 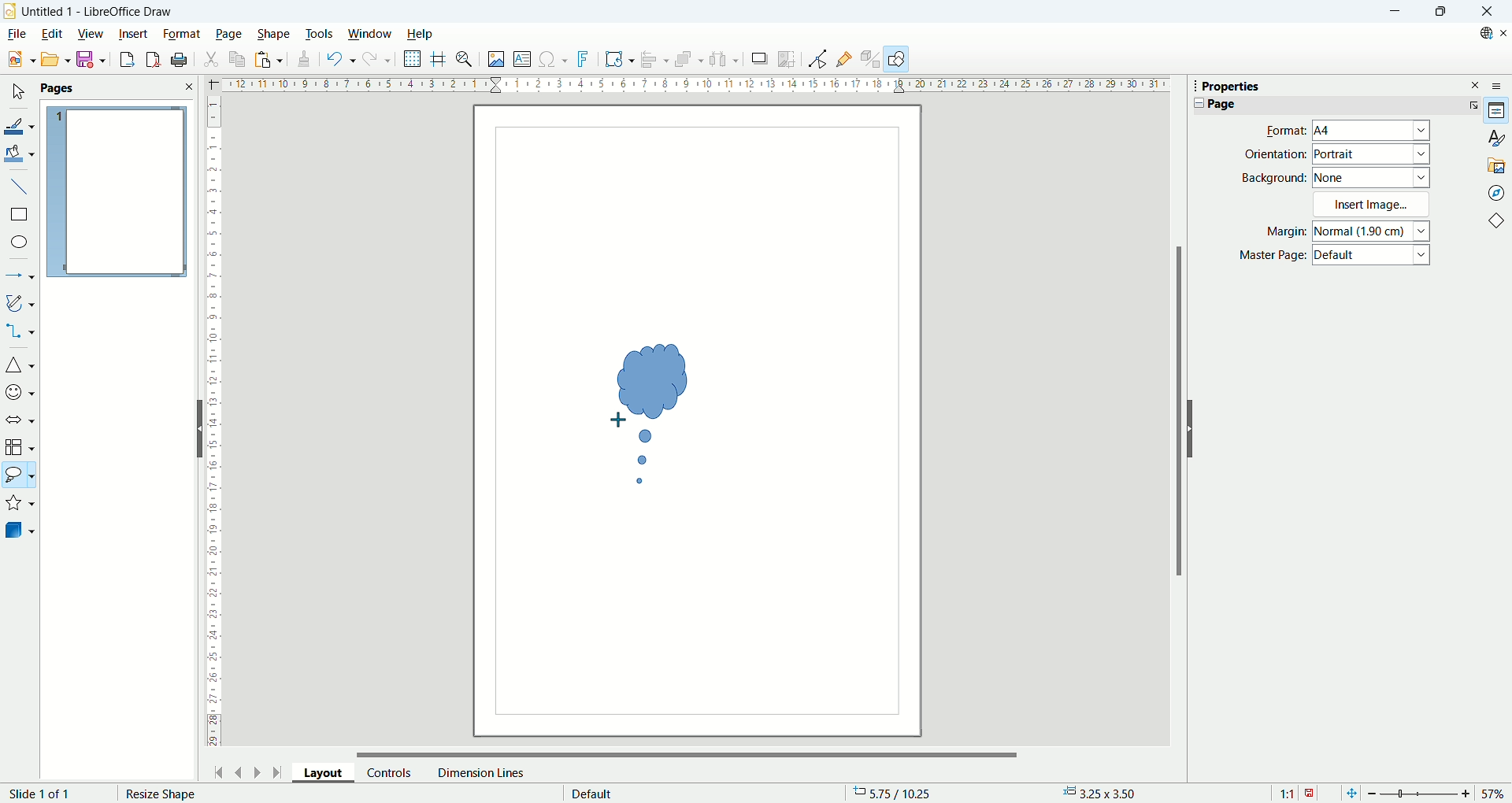 What do you see at coordinates (413, 59) in the screenshot?
I see `show grid` at bounding box center [413, 59].